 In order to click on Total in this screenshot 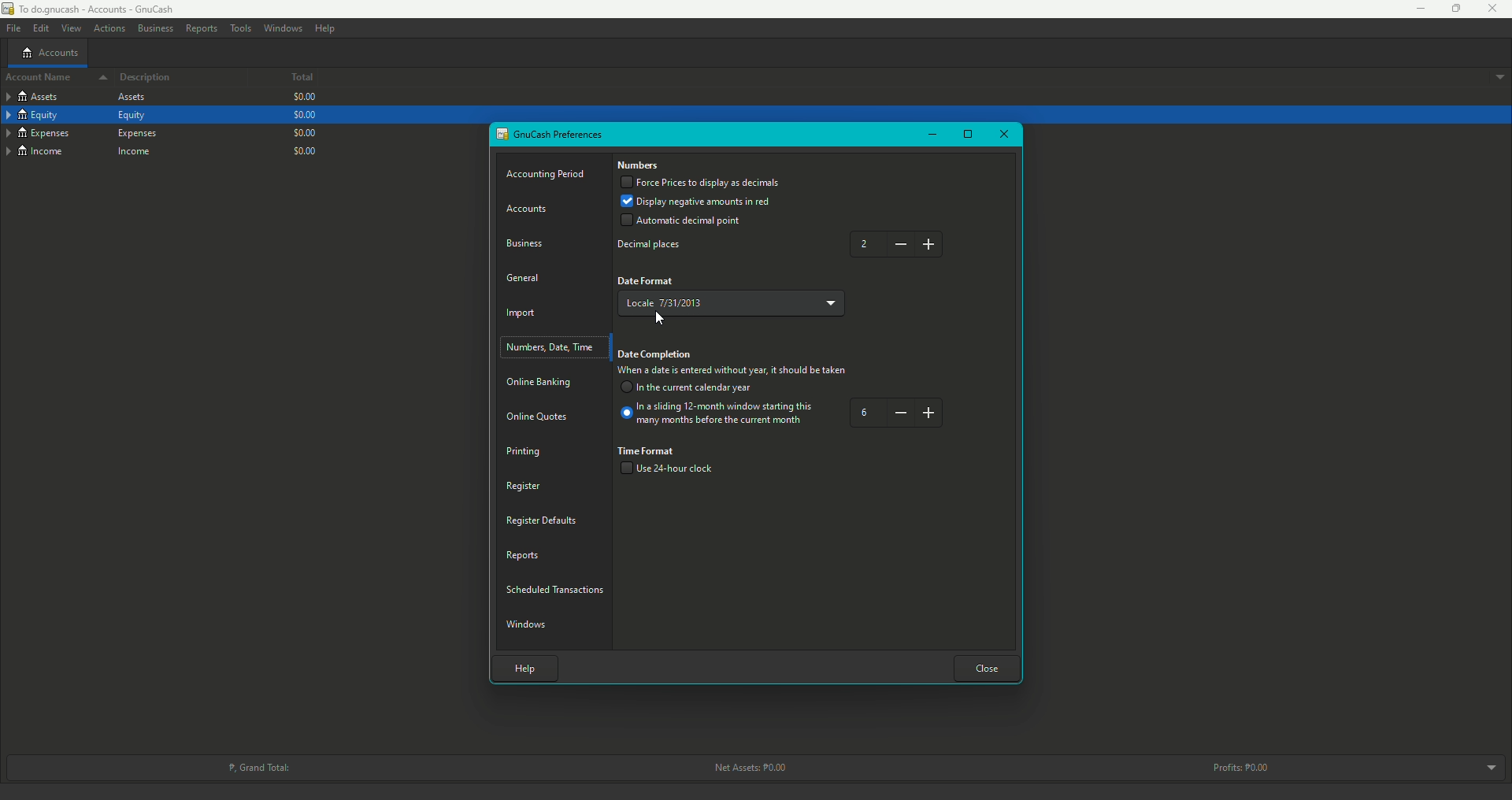, I will do `click(290, 79)`.